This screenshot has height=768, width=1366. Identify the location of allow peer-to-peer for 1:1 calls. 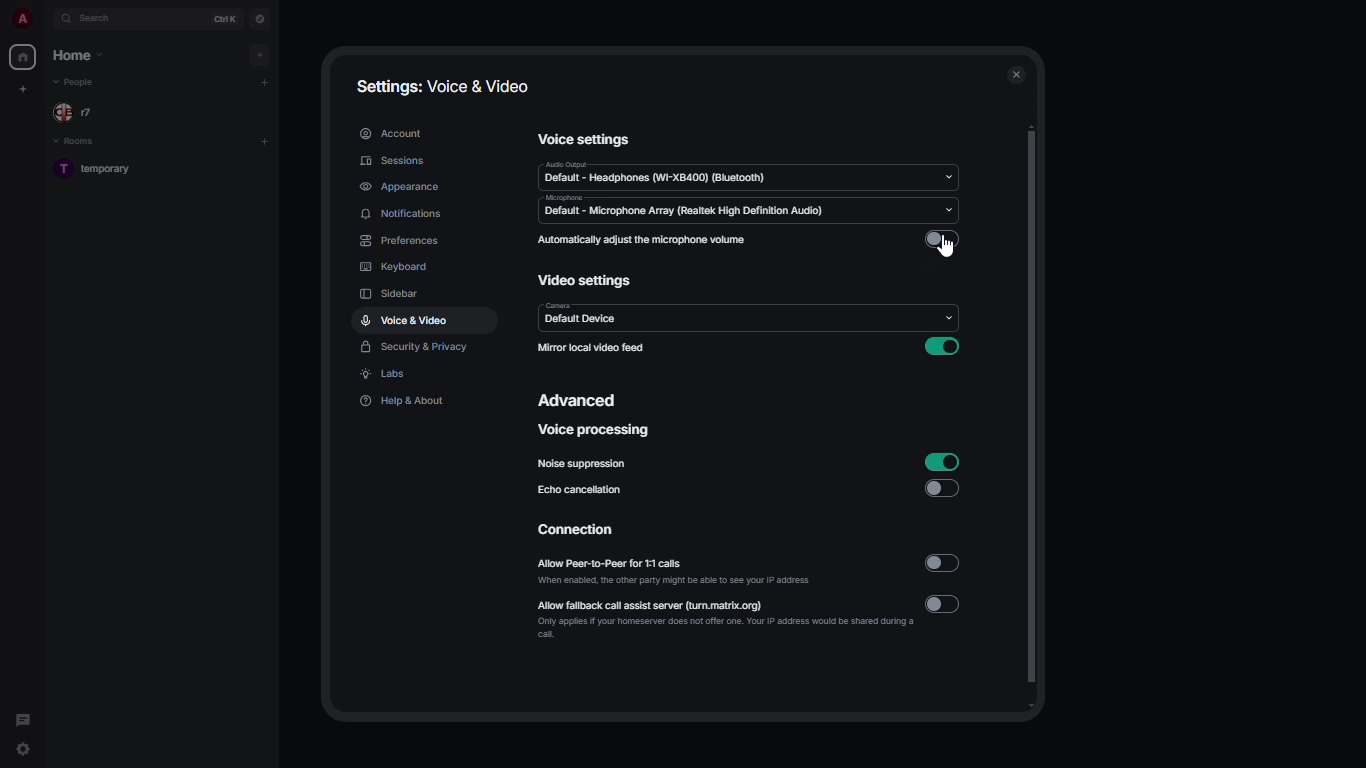
(677, 572).